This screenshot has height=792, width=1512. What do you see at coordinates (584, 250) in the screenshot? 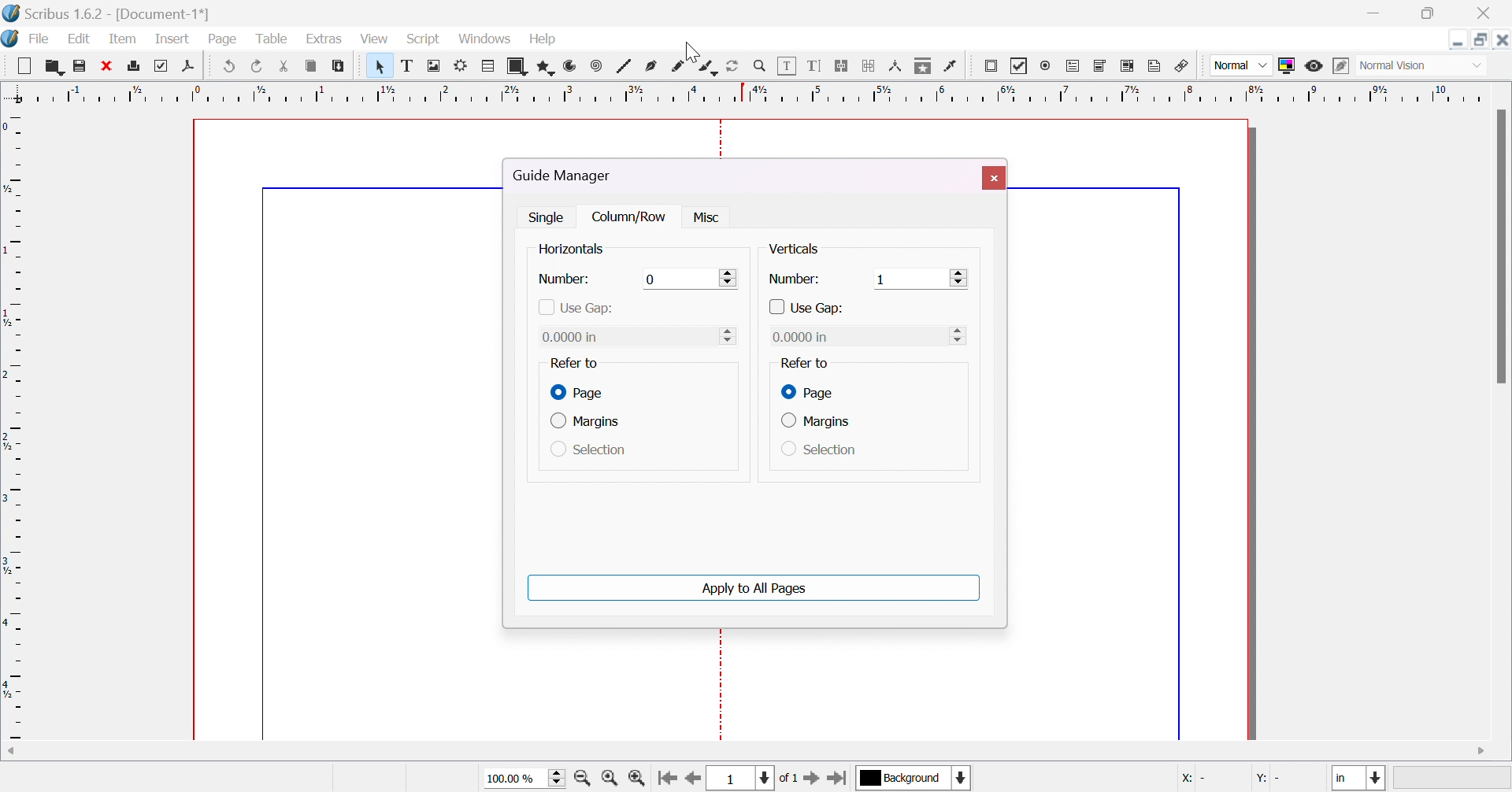
I see `horizontals (in)` at bounding box center [584, 250].